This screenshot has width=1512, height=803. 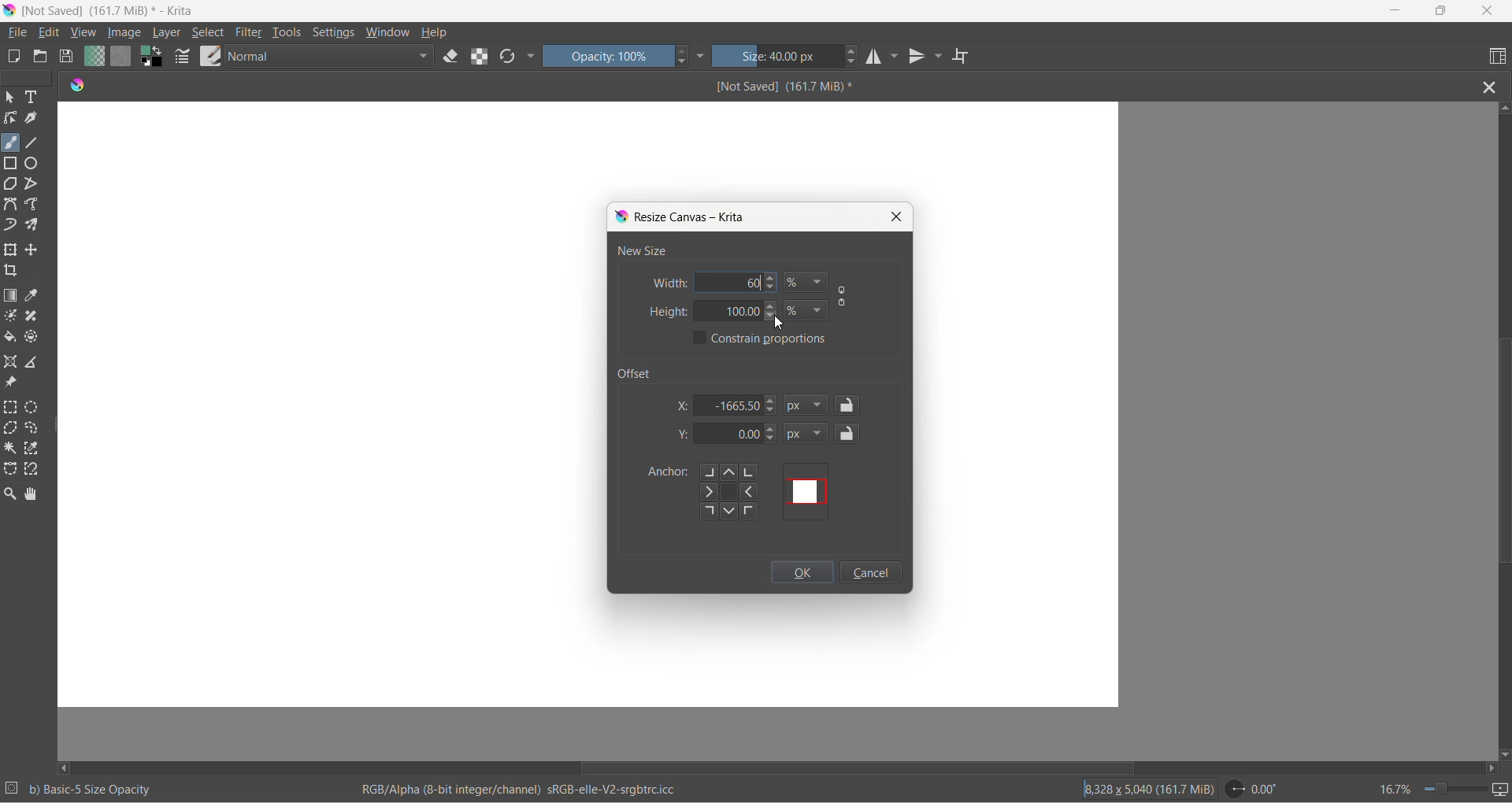 I want to click on brush presets, so click(x=210, y=56).